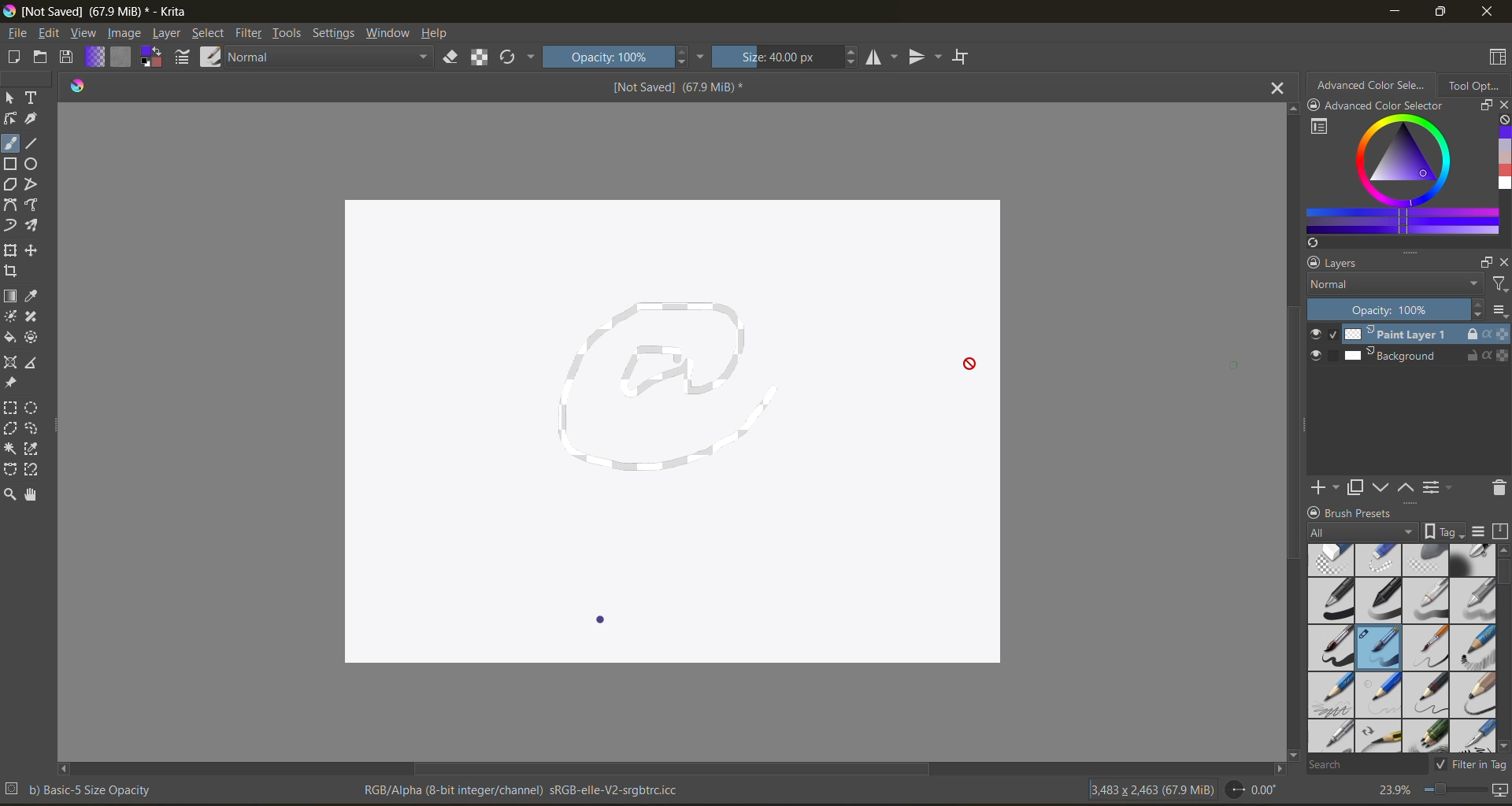 This screenshot has width=1512, height=806. I want to click on magnetic curve selection, so click(32, 471).